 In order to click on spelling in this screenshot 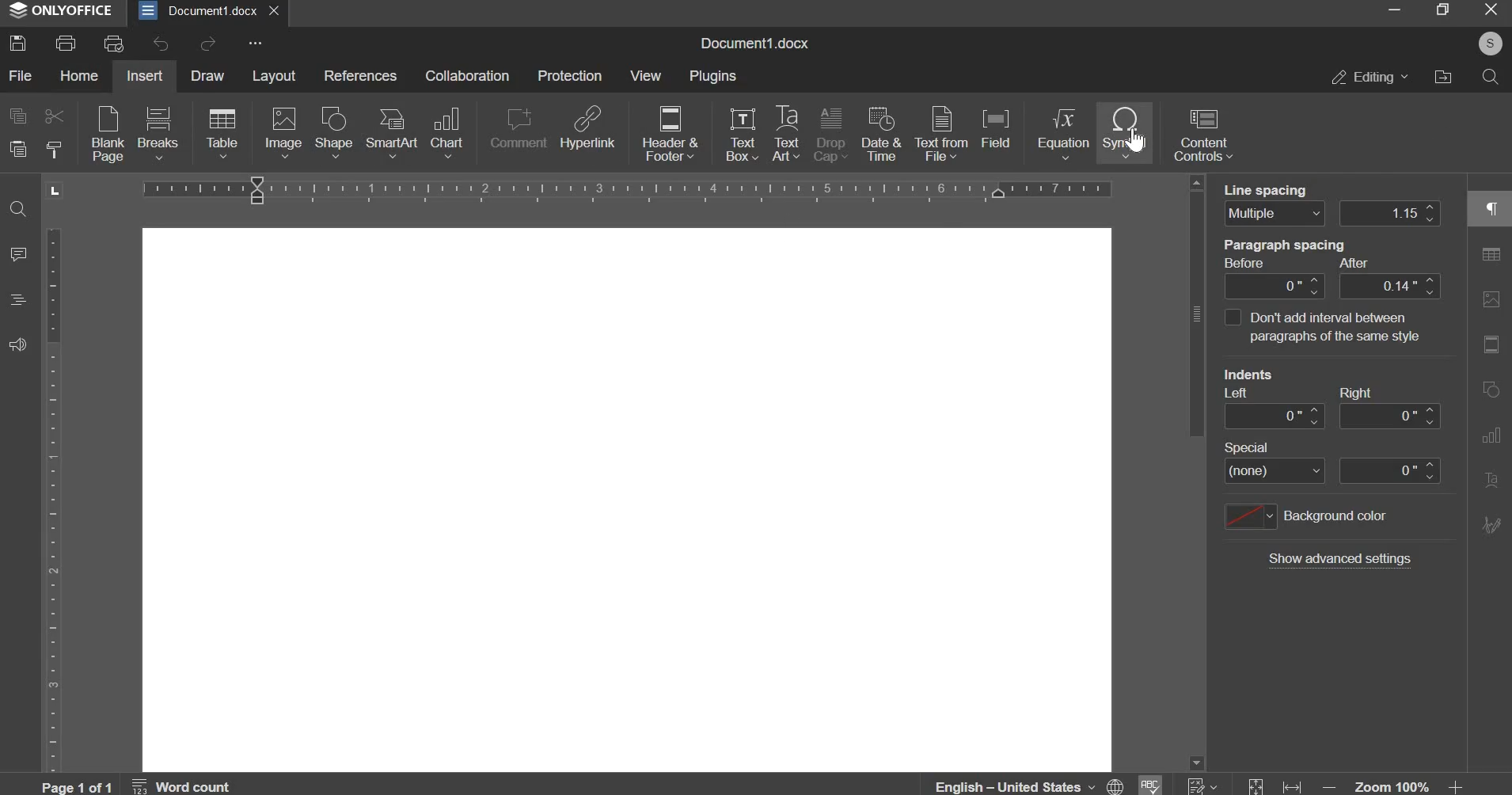, I will do `click(1149, 785)`.